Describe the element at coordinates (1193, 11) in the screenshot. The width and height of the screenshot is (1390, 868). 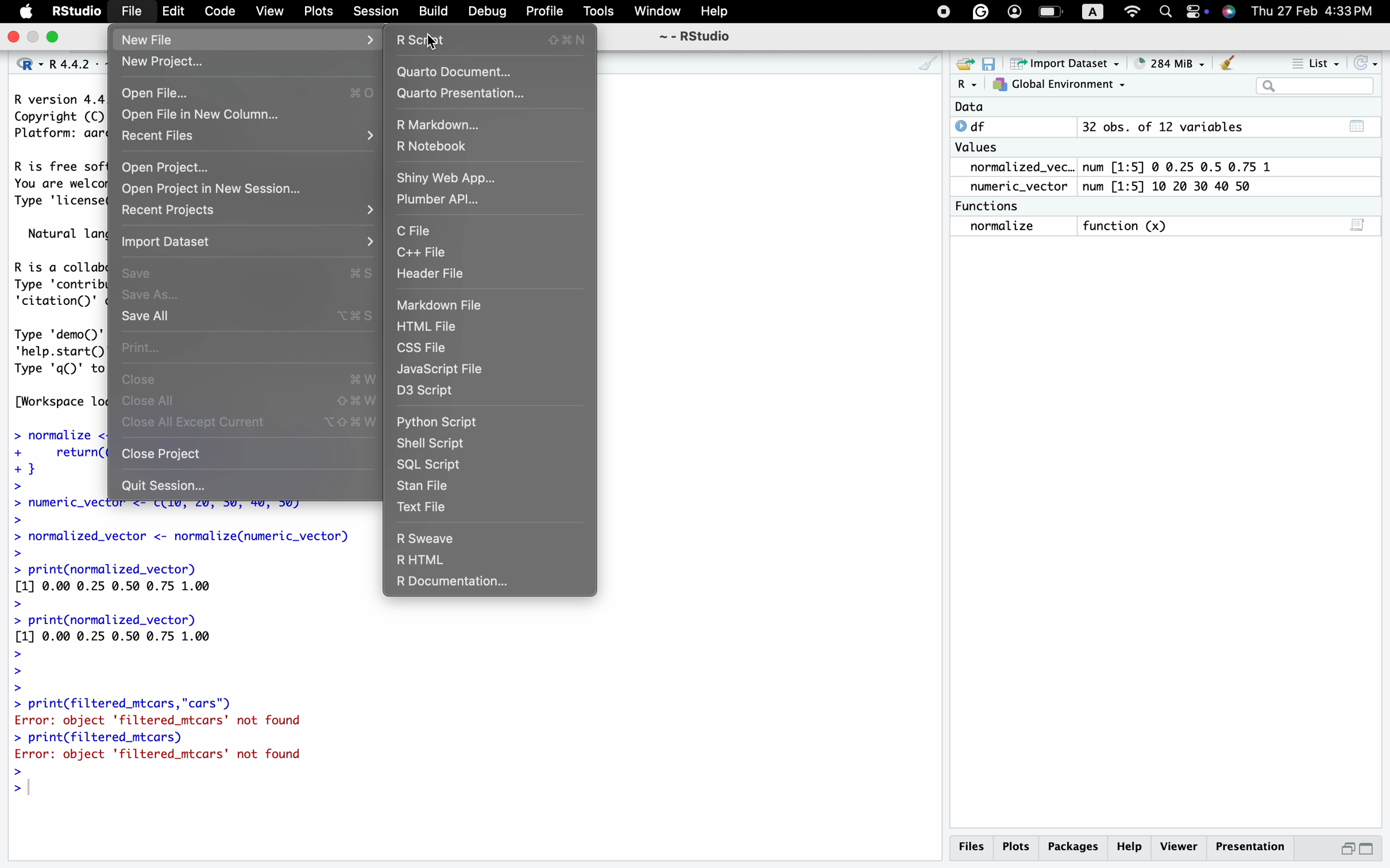
I see `battery` at that location.